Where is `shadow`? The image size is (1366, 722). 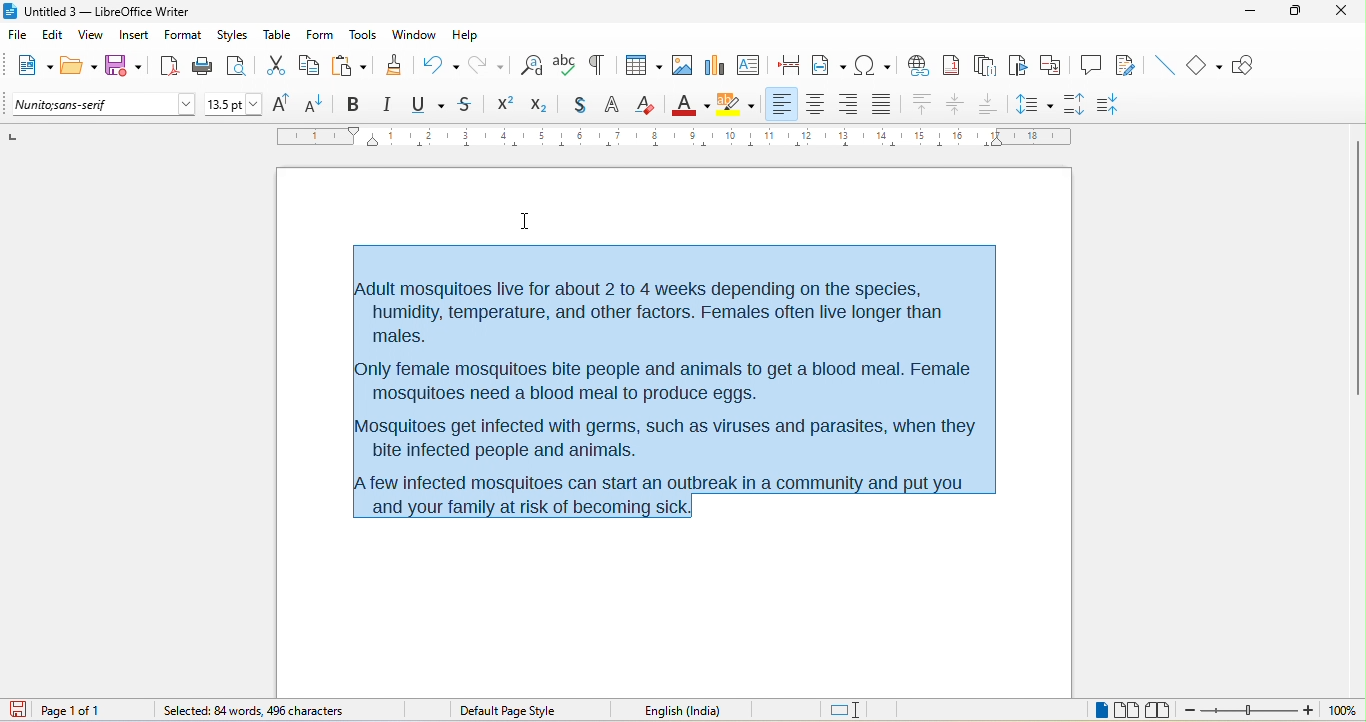 shadow is located at coordinates (579, 106).